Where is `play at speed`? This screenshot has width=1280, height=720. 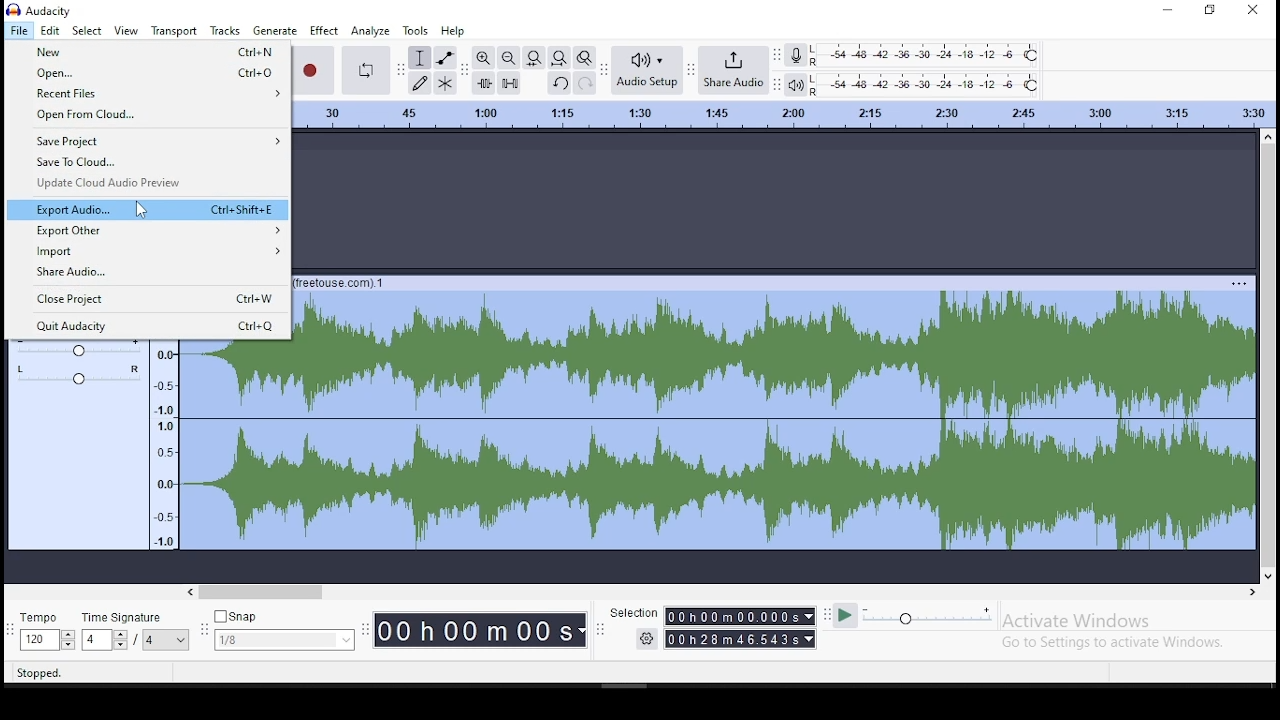
play at speed is located at coordinates (845, 617).